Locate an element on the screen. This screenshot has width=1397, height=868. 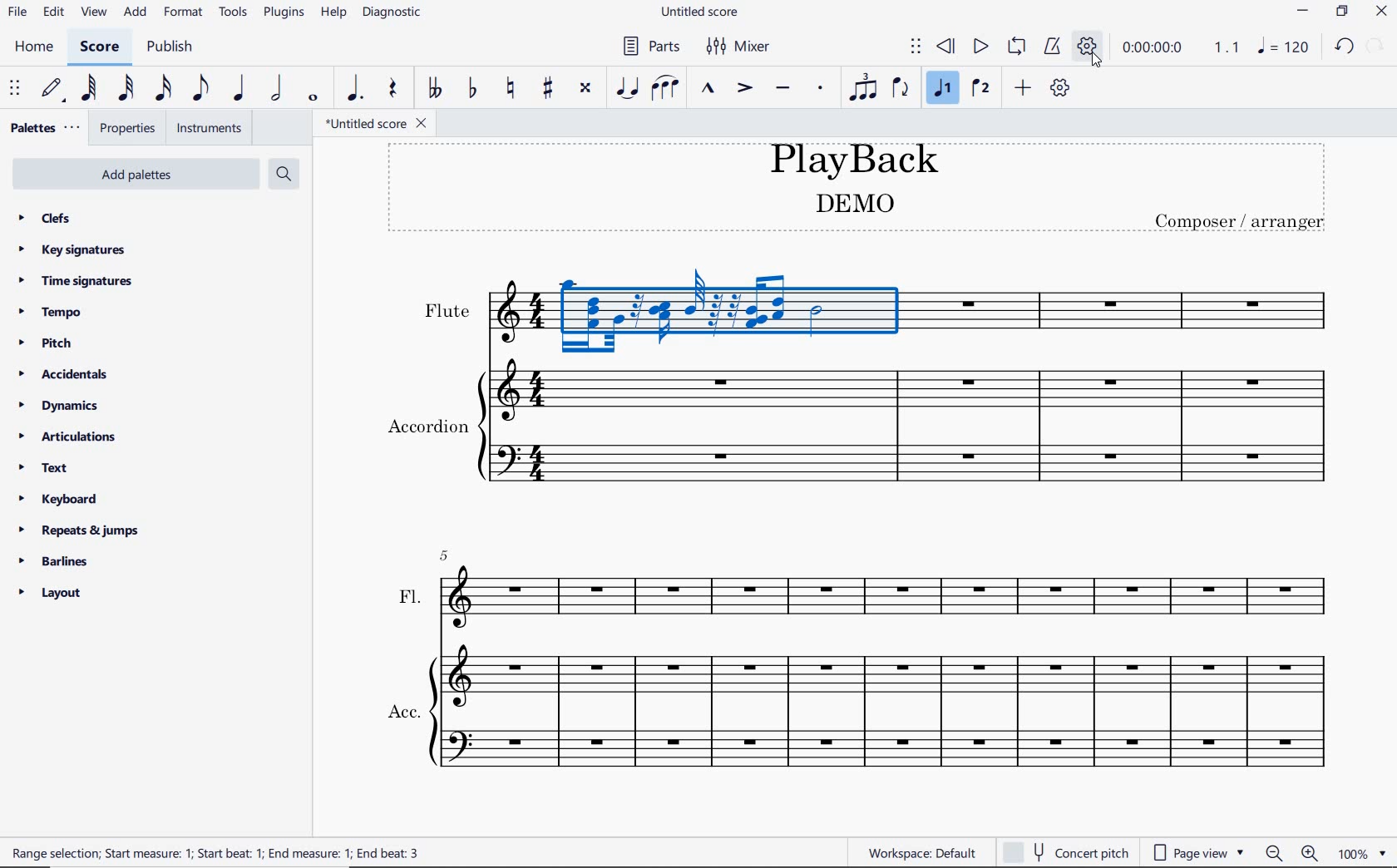
playback time is located at coordinates (1151, 47).